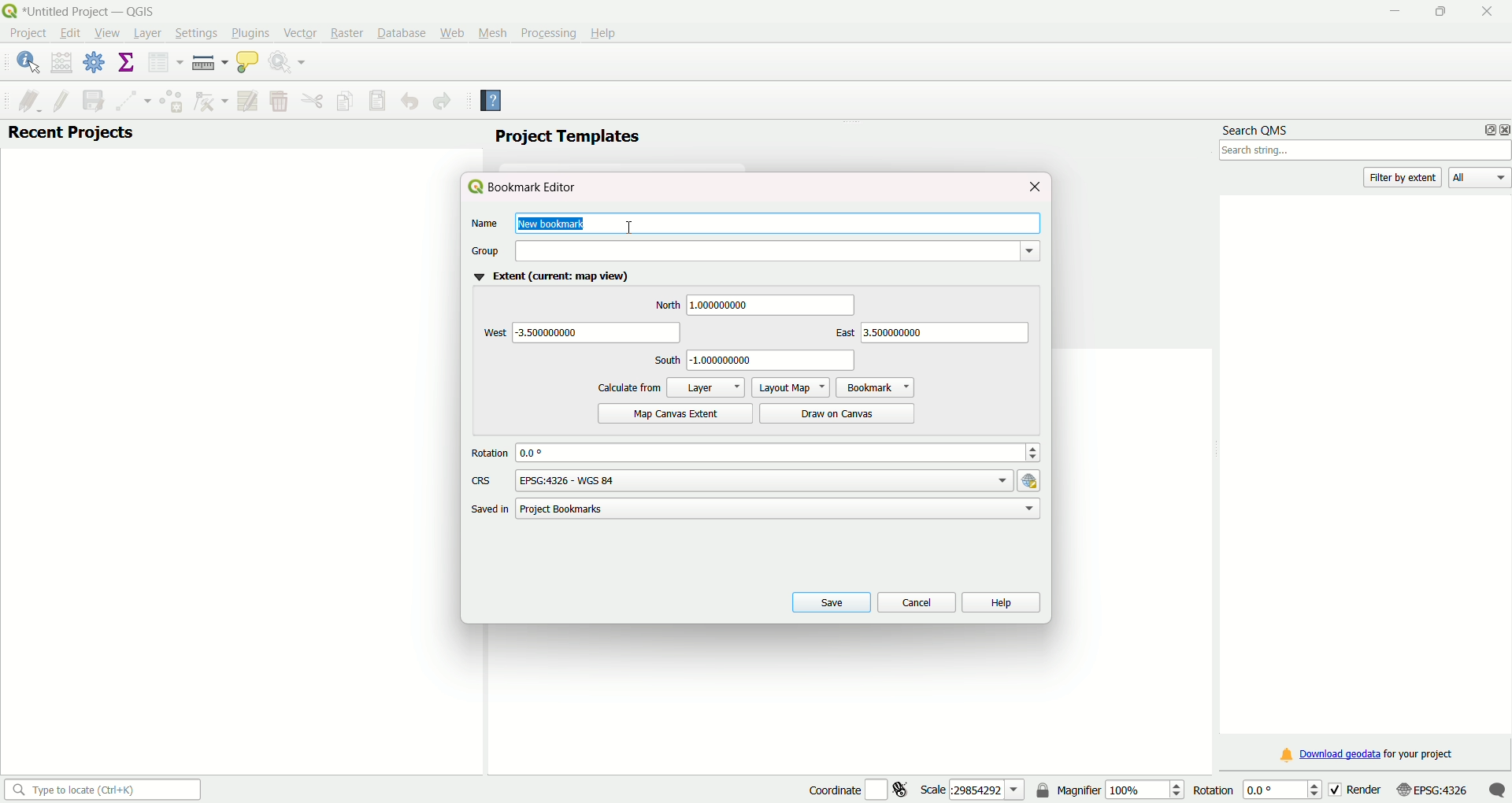 Image resolution: width=1512 pixels, height=803 pixels. What do you see at coordinates (62, 62) in the screenshot?
I see `open field calculator` at bounding box center [62, 62].